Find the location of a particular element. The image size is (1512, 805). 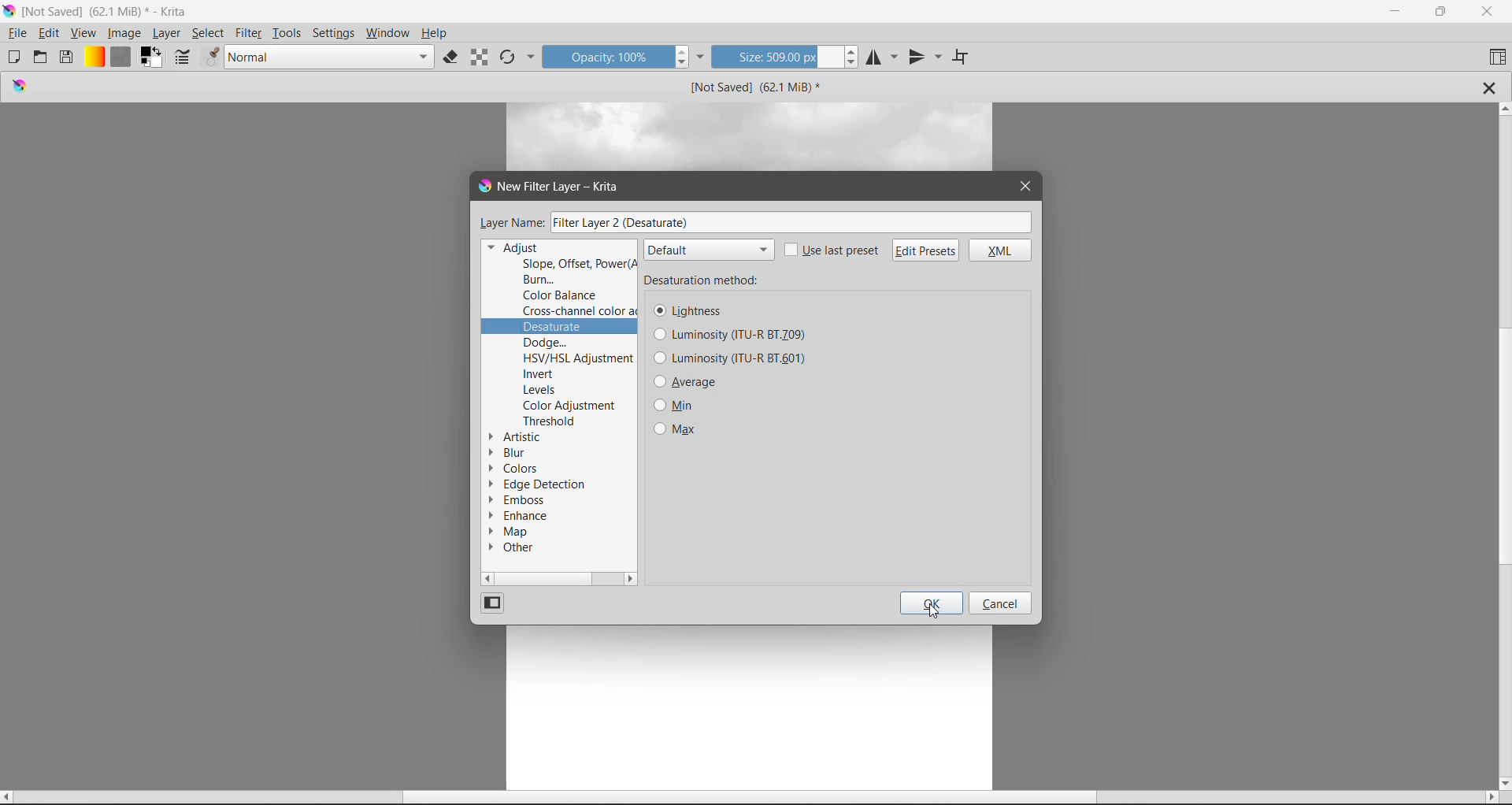

Select is located at coordinates (207, 33).